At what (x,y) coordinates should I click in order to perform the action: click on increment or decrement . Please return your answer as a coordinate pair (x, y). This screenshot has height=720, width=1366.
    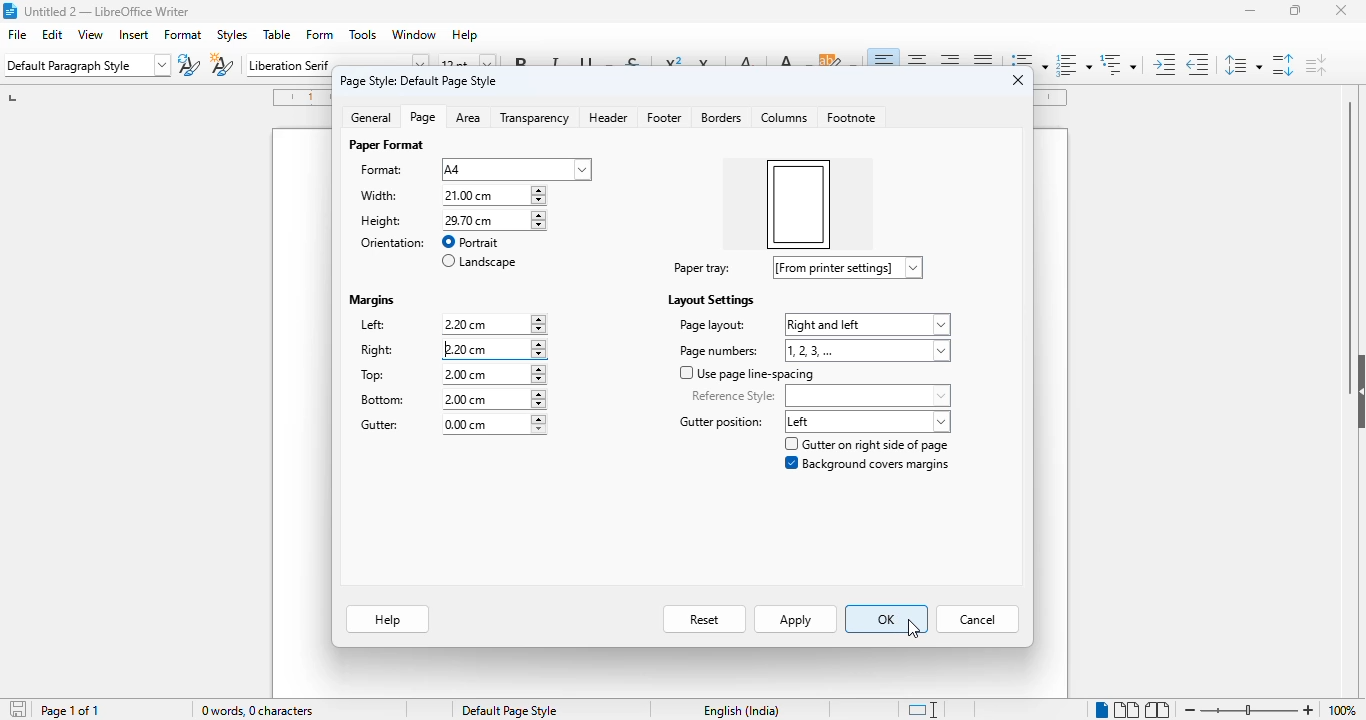
    Looking at the image, I should click on (540, 375).